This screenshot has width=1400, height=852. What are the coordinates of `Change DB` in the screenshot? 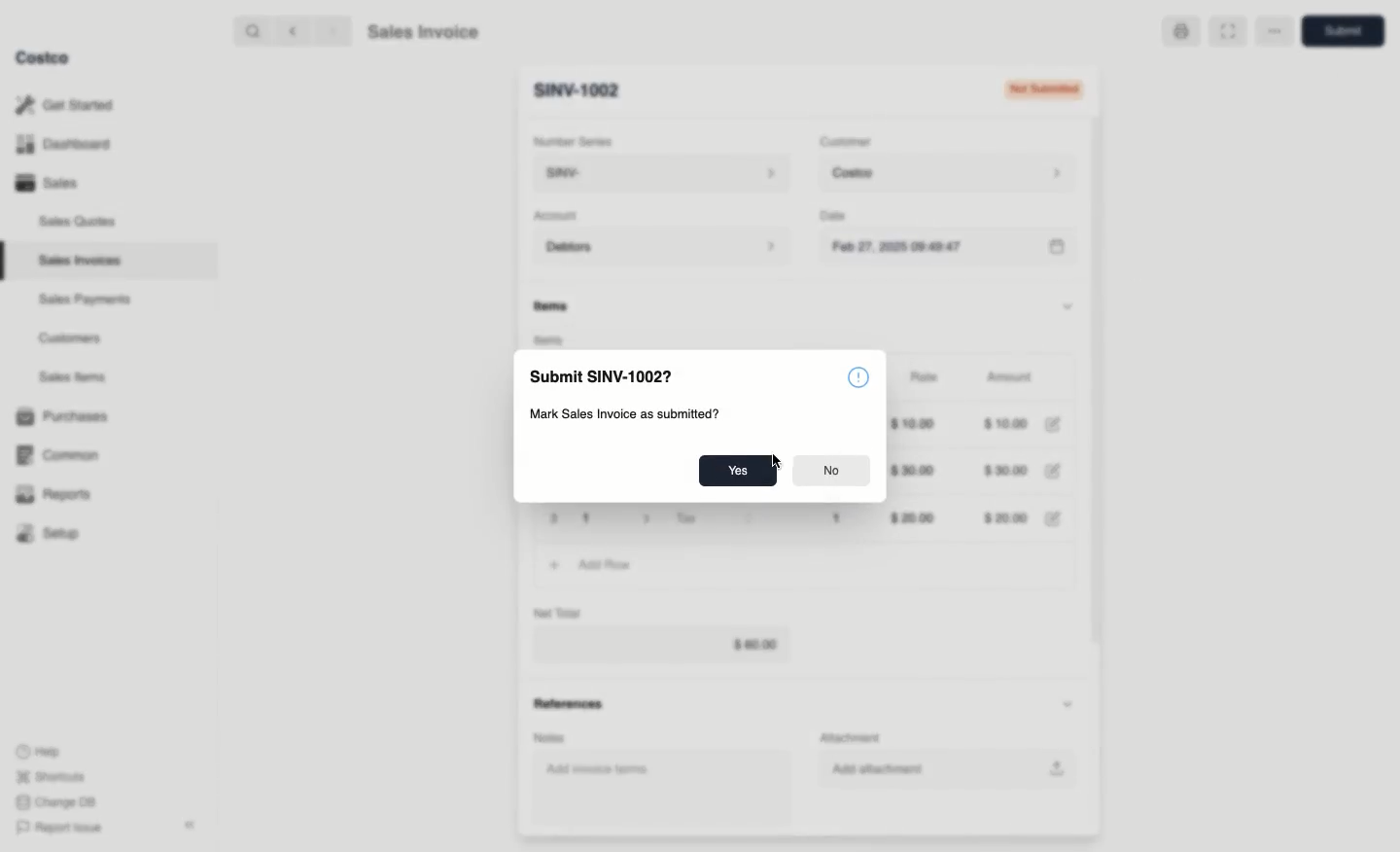 It's located at (58, 799).